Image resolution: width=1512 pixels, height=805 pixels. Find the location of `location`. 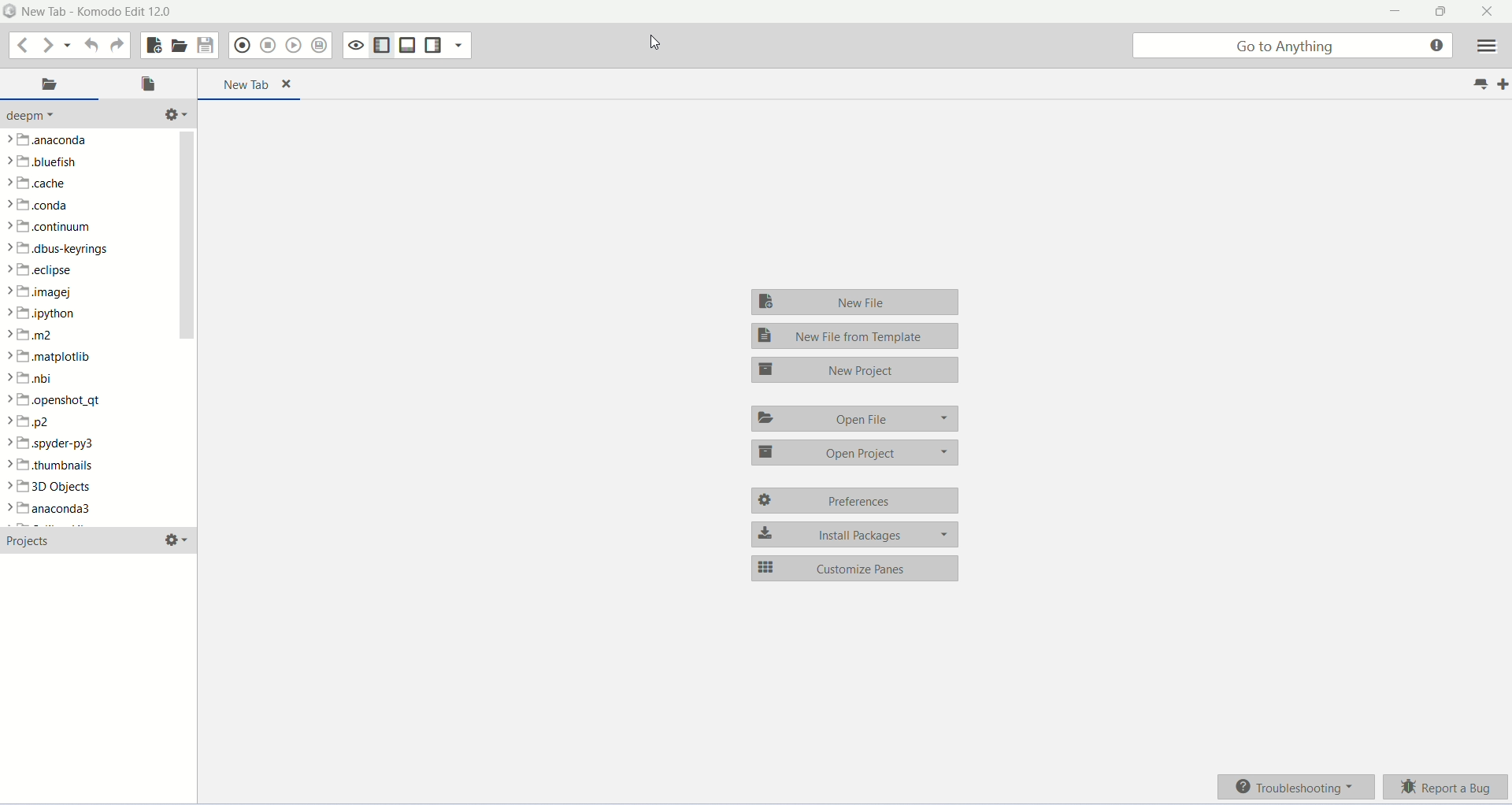

location is located at coordinates (50, 85).